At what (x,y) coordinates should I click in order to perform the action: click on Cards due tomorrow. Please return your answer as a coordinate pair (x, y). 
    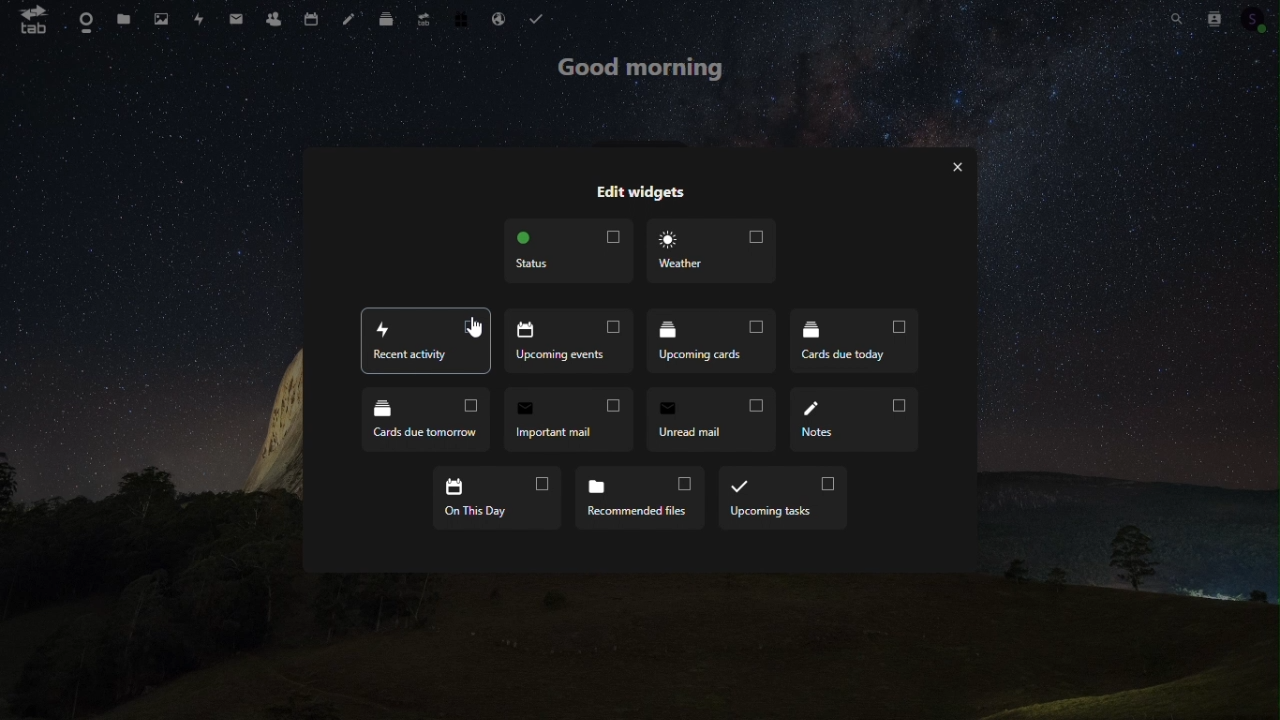
    Looking at the image, I should click on (426, 422).